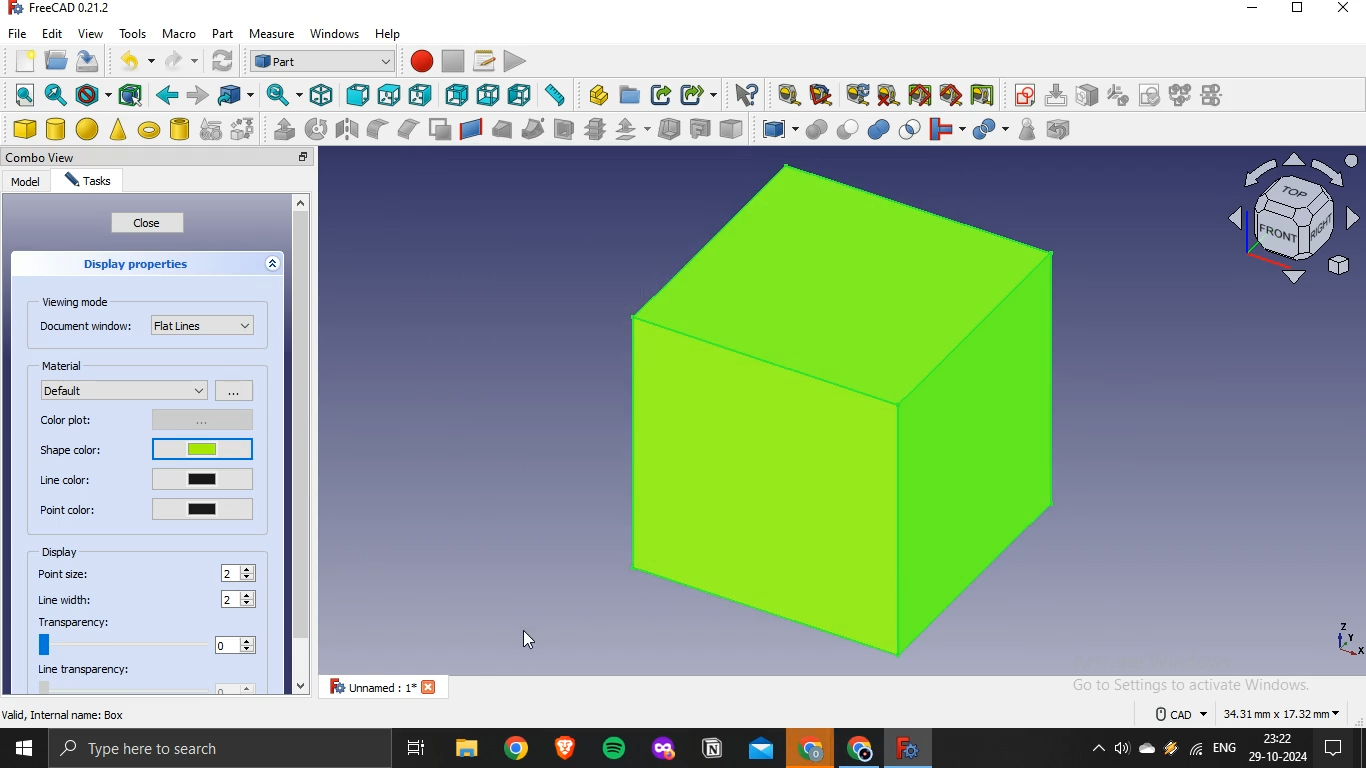  Describe the element at coordinates (1347, 638) in the screenshot. I see `axes icons` at that location.